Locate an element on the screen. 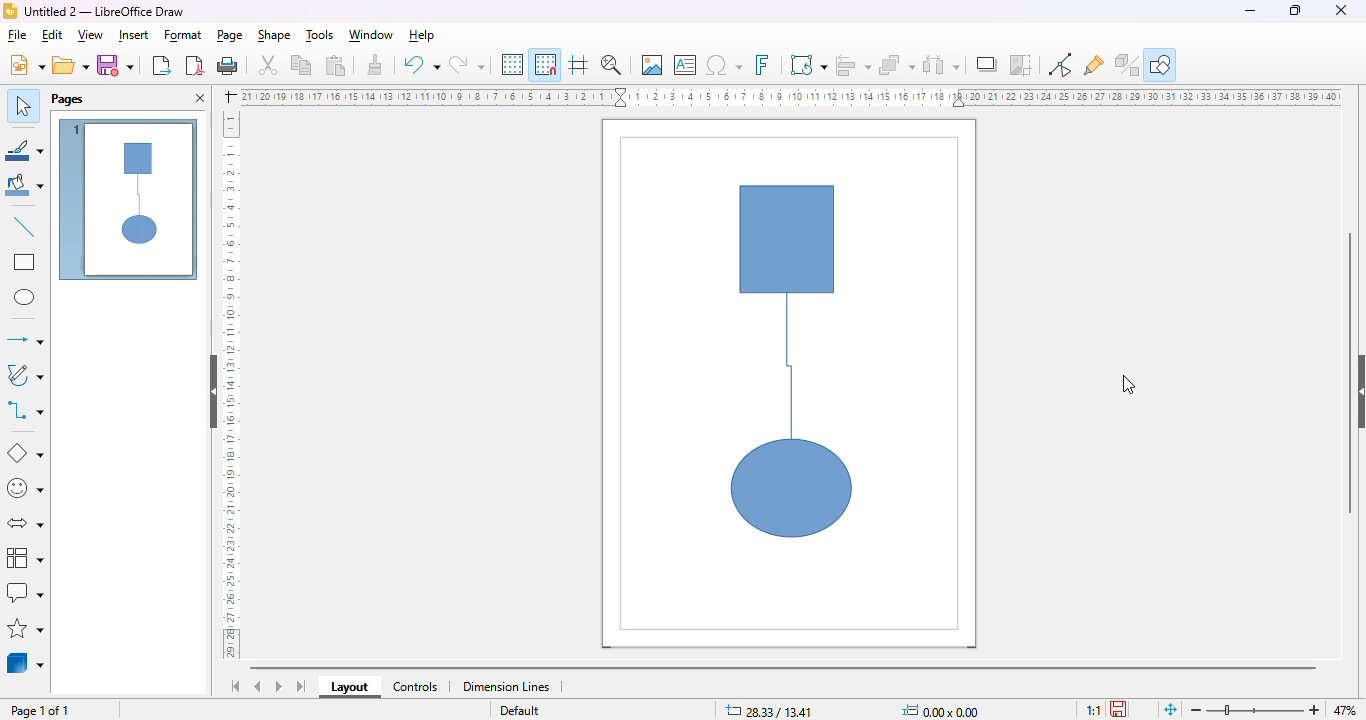  line color is located at coordinates (24, 150).